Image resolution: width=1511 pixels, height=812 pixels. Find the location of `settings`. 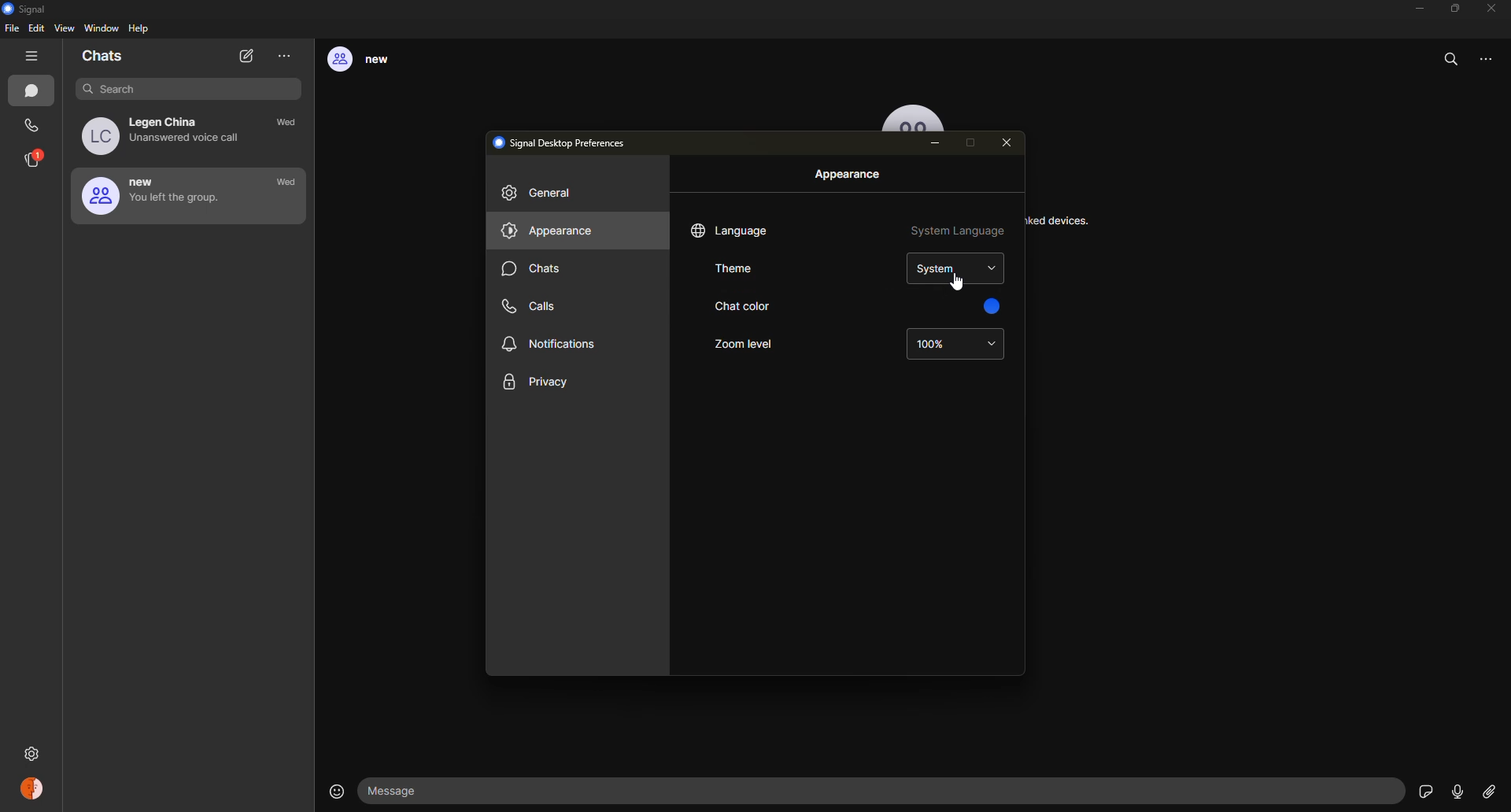

settings is located at coordinates (34, 751).